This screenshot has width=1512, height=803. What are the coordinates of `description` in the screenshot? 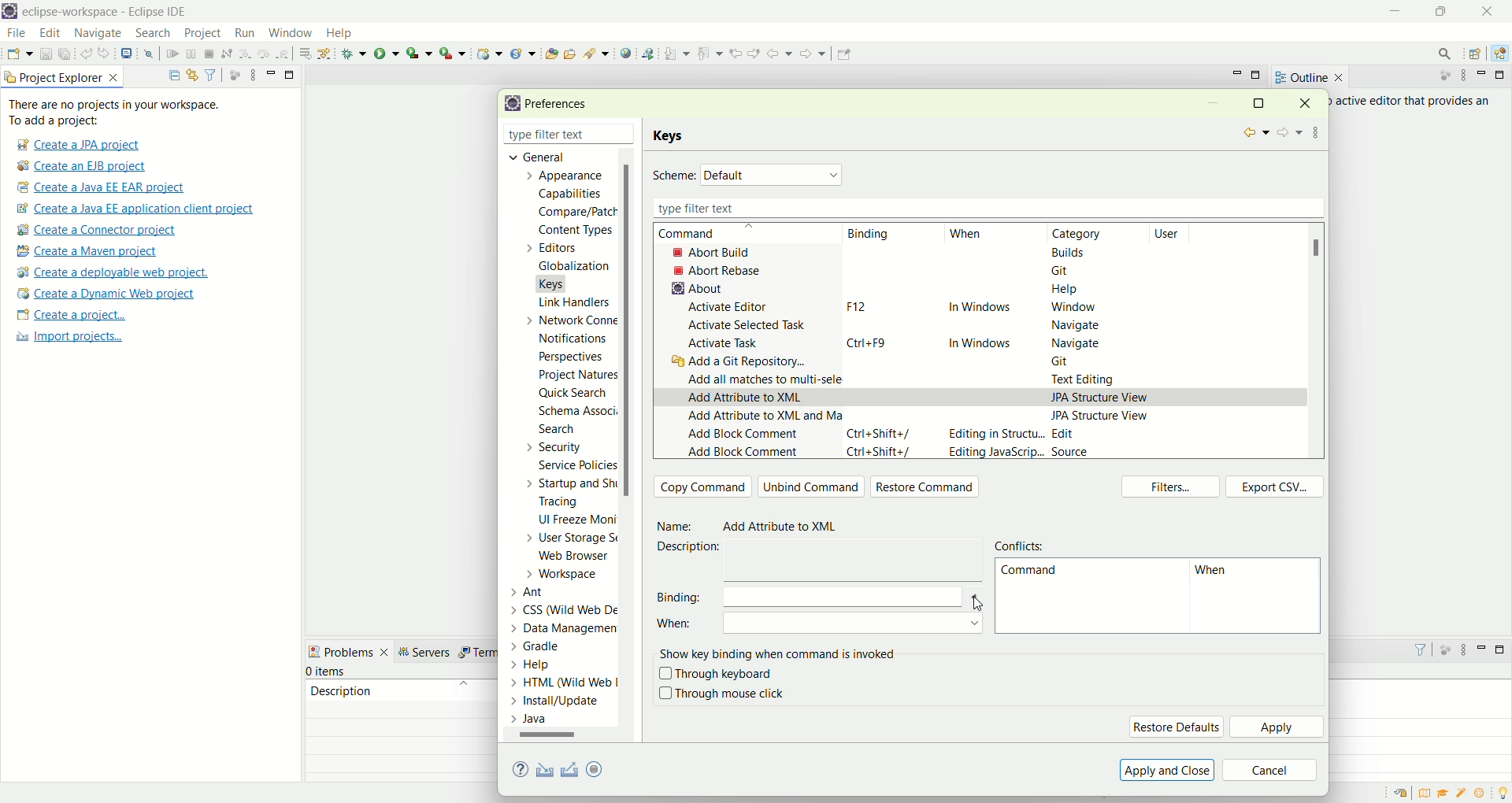 It's located at (694, 547).